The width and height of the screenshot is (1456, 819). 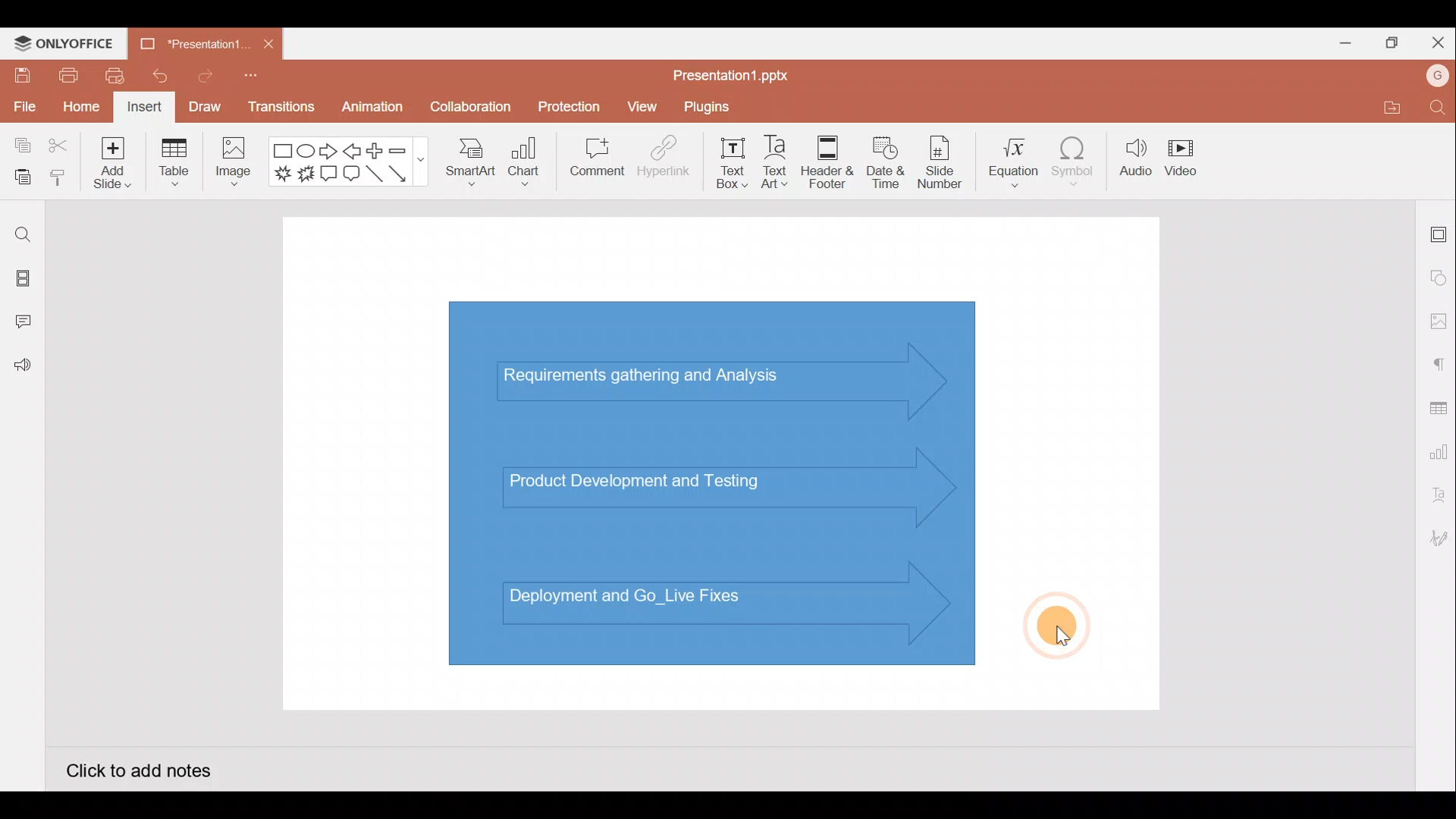 I want to click on Equation, so click(x=1015, y=157).